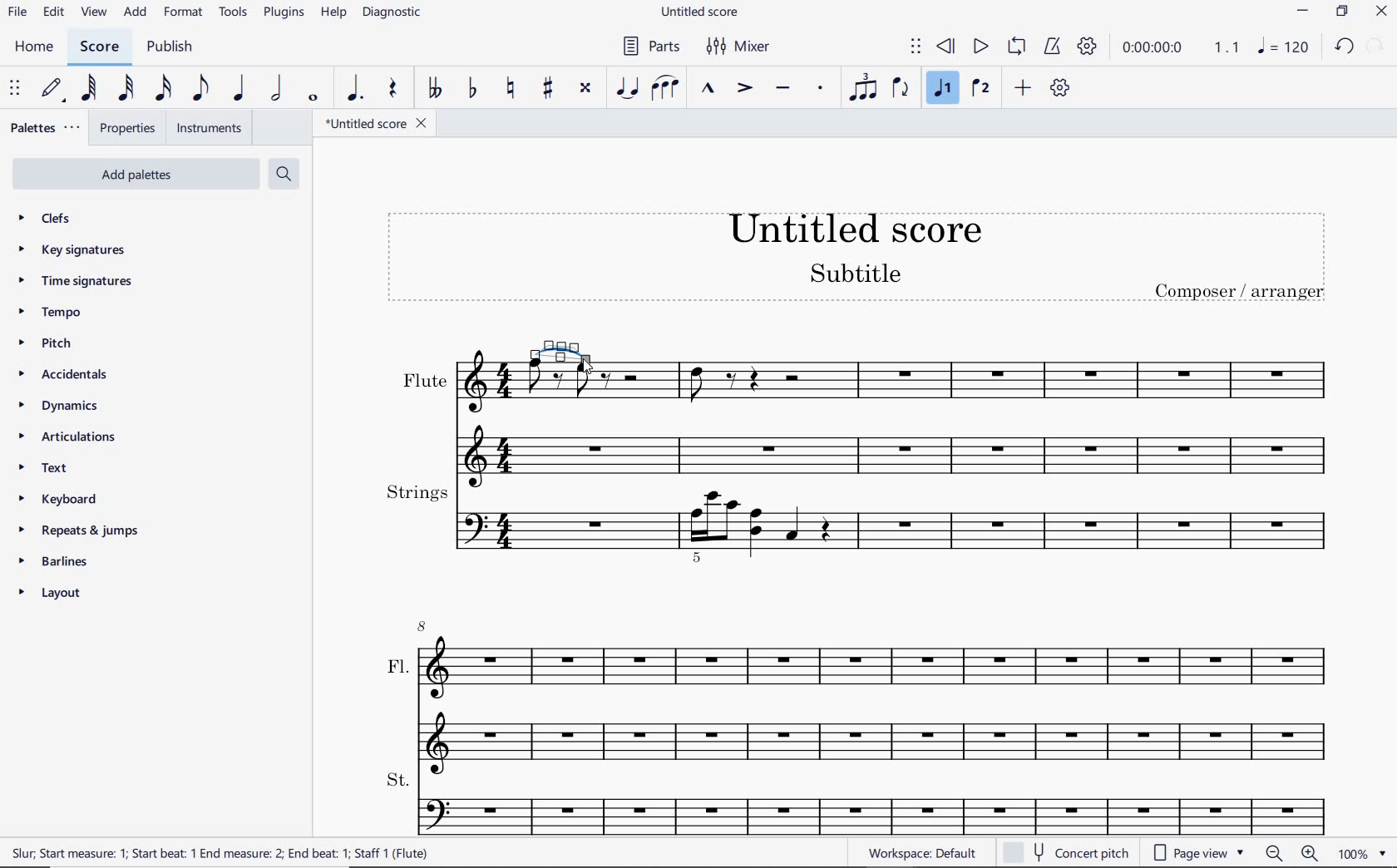 The width and height of the screenshot is (1397, 868). Describe the element at coordinates (137, 173) in the screenshot. I see `add palettes` at that location.